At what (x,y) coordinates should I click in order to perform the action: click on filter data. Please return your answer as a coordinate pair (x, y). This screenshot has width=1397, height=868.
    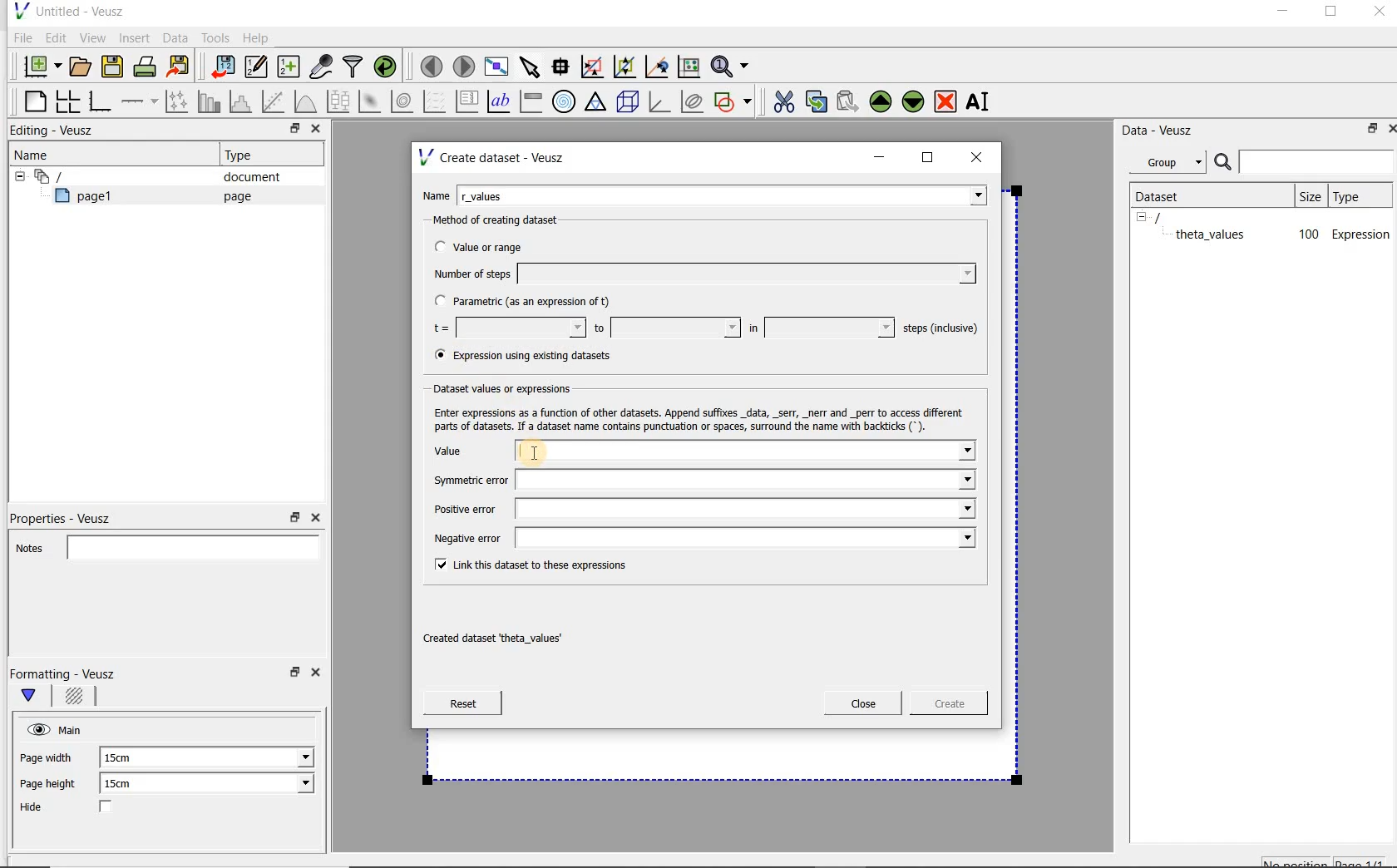
    Looking at the image, I should click on (353, 68).